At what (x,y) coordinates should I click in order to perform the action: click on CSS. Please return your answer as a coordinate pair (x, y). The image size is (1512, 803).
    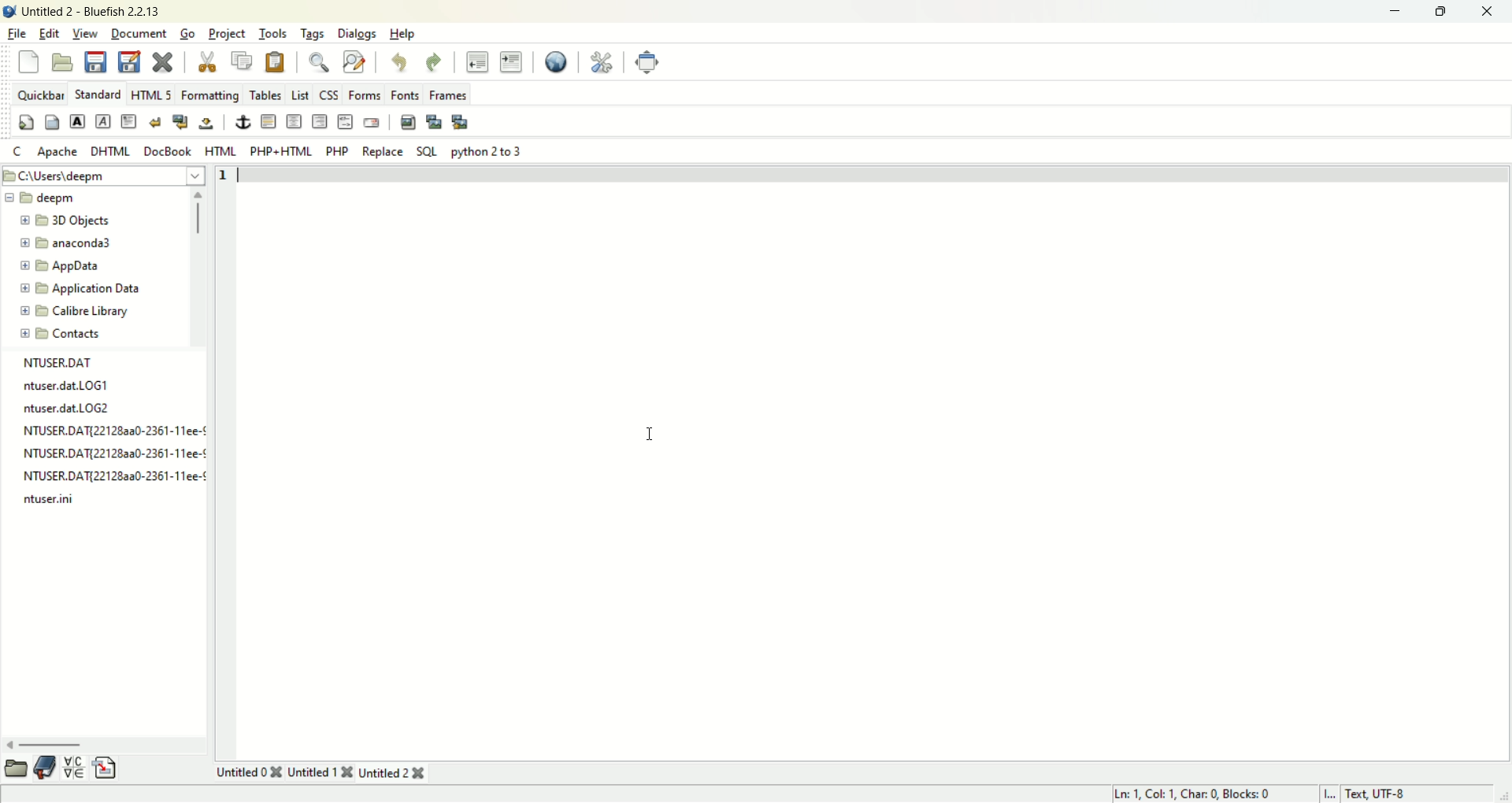
    Looking at the image, I should click on (329, 93).